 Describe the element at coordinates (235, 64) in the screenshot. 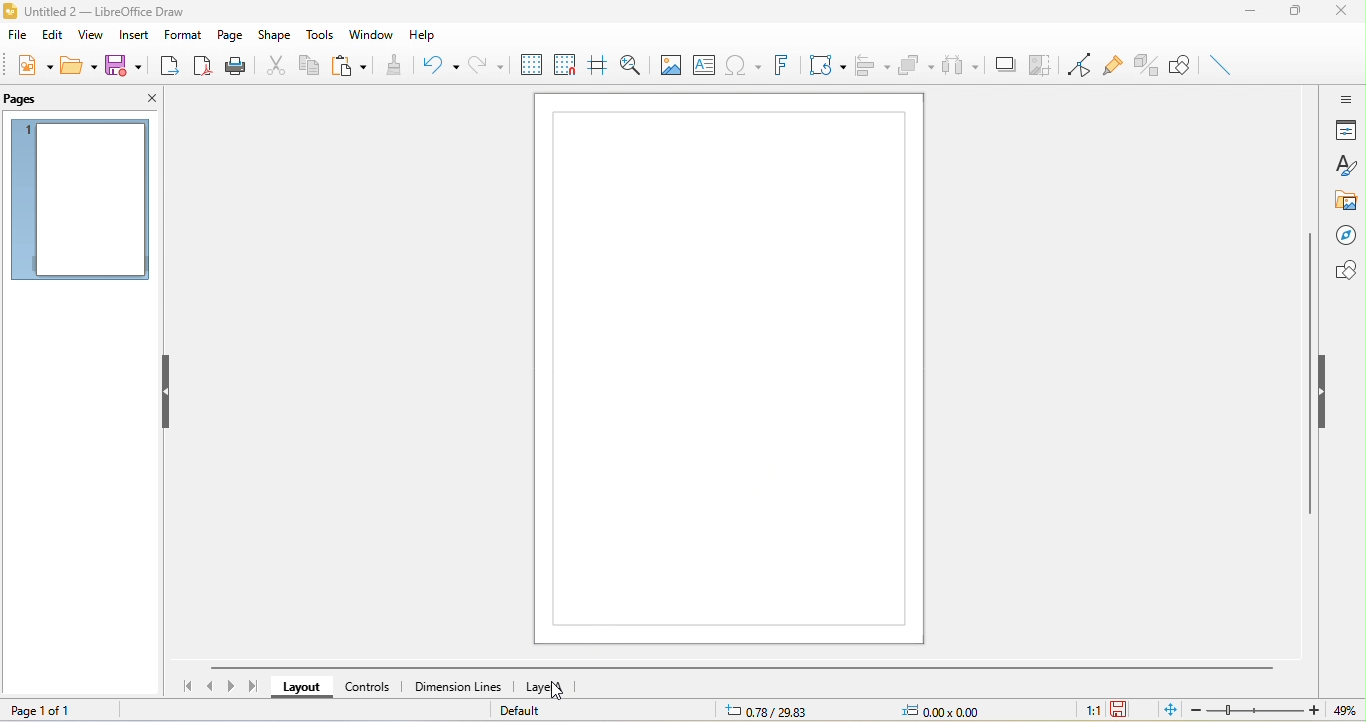

I see `print` at that location.